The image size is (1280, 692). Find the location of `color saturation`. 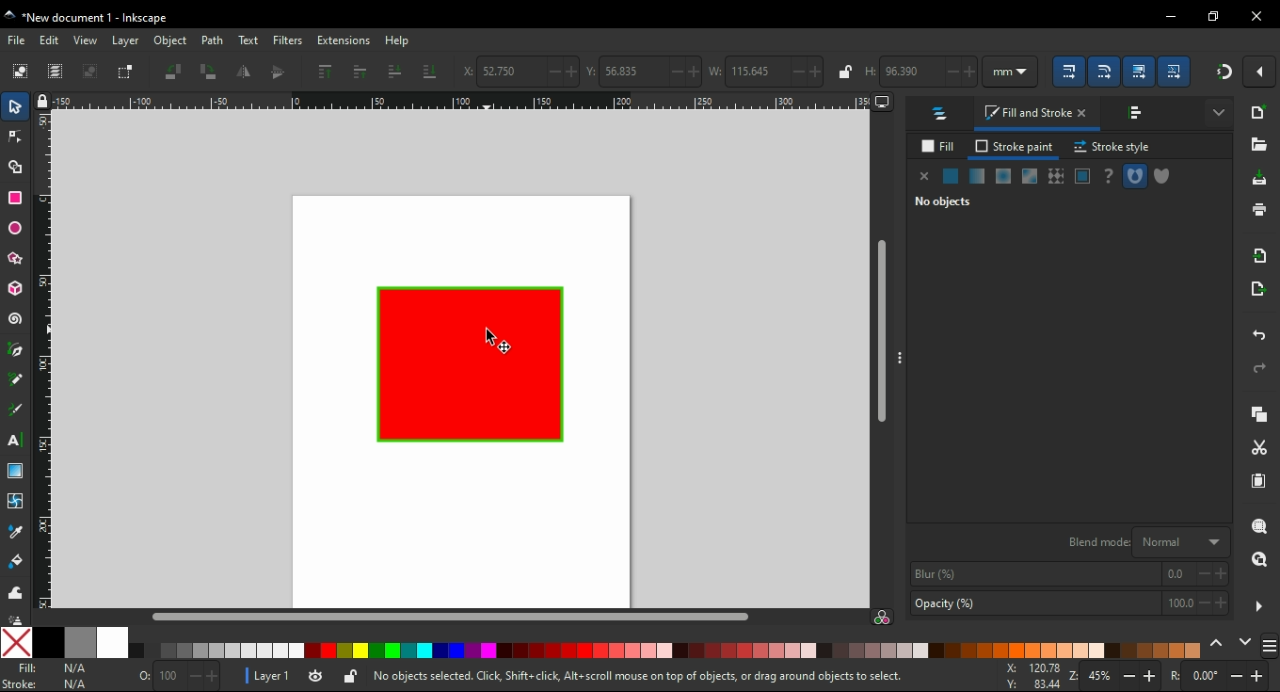

color saturation is located at coordinates (882, 615).